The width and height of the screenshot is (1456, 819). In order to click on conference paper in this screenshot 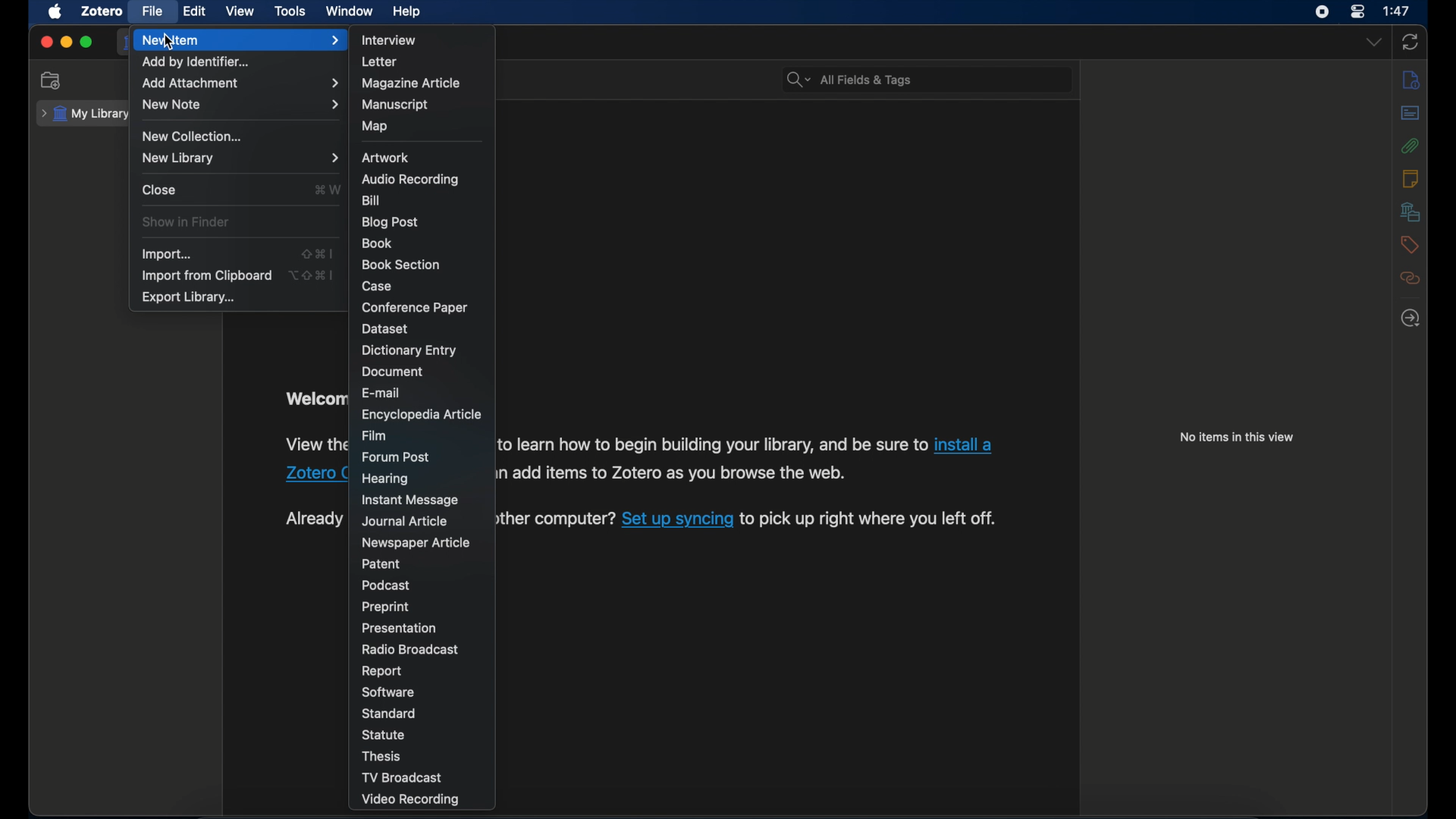, I will do `click(416, 307)`.